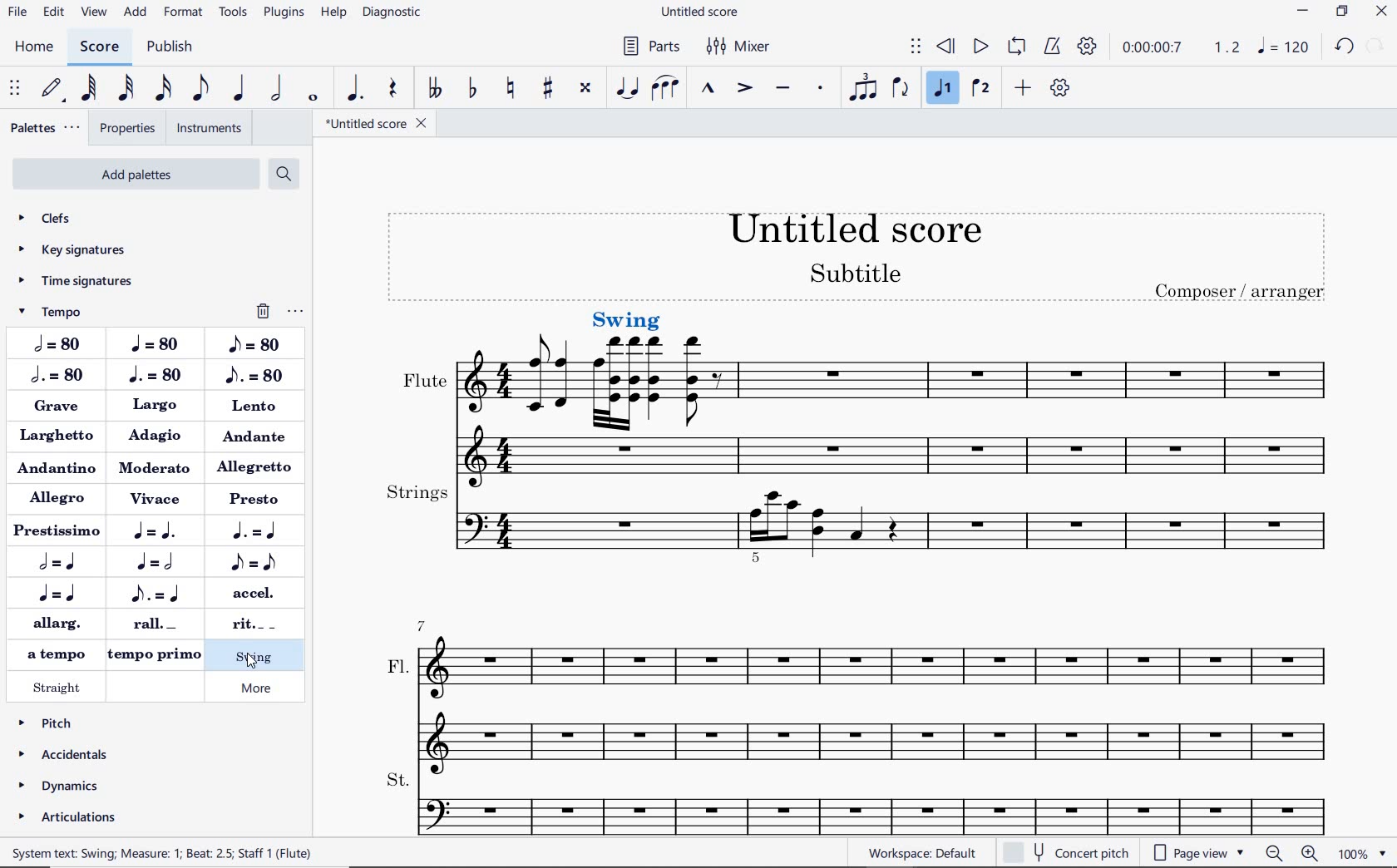 Image resolution: width=1397 pixels, height=868 pixels. Describe the element at coordinates (902, 90) in the screenshot. I see `FLIP DIRECTION` at that location.